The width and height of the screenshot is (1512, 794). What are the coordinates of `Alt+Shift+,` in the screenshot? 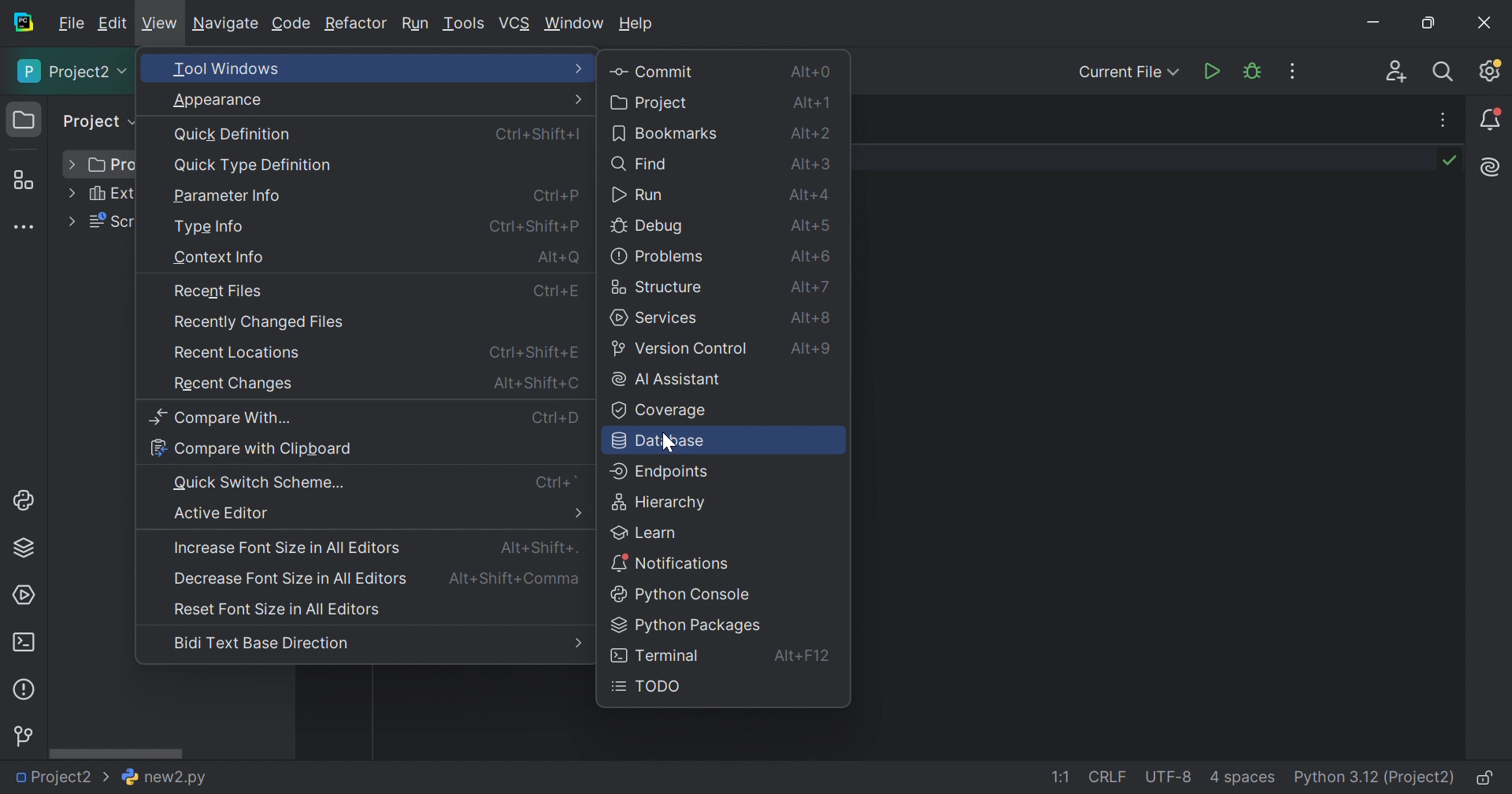 It's located at (515, 580).